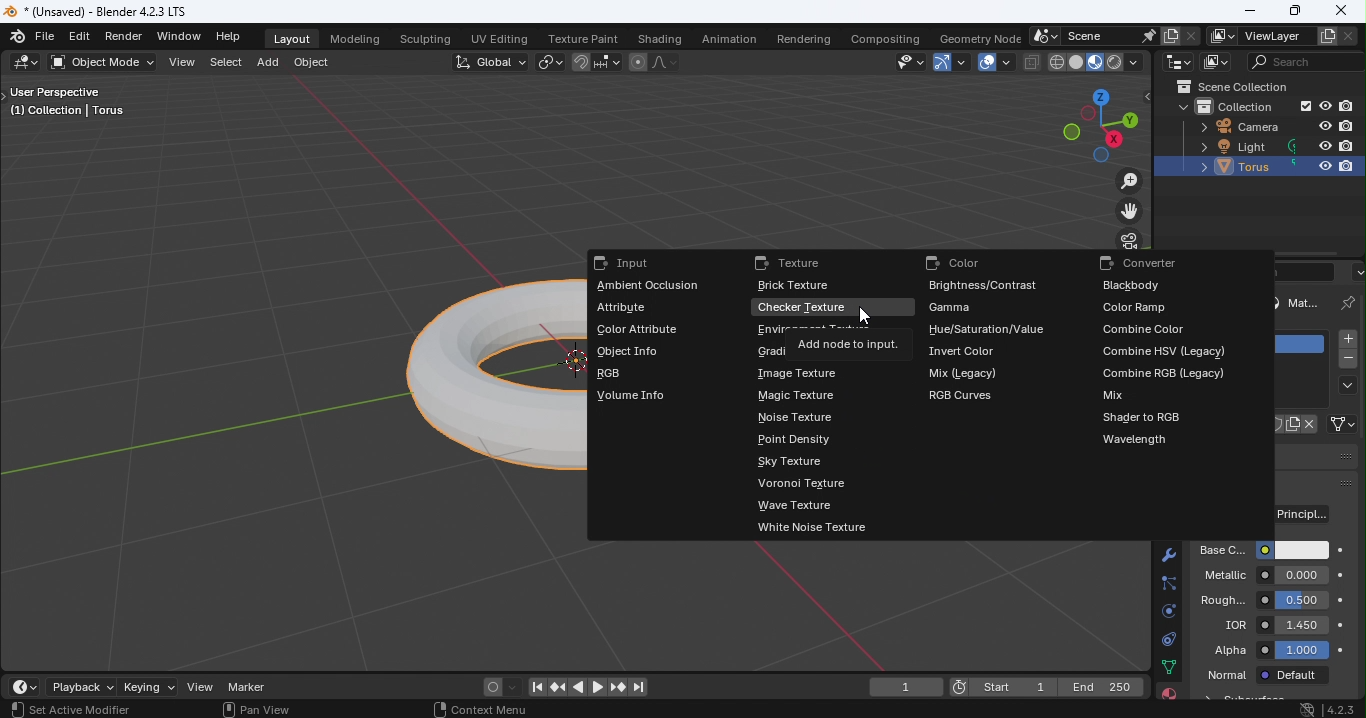 The width and height of the screenshot is (1366, 718). What do you see at coordinates (28, 63) in the screenshot?
I see `Editor type` at bounding box center [28, 63].